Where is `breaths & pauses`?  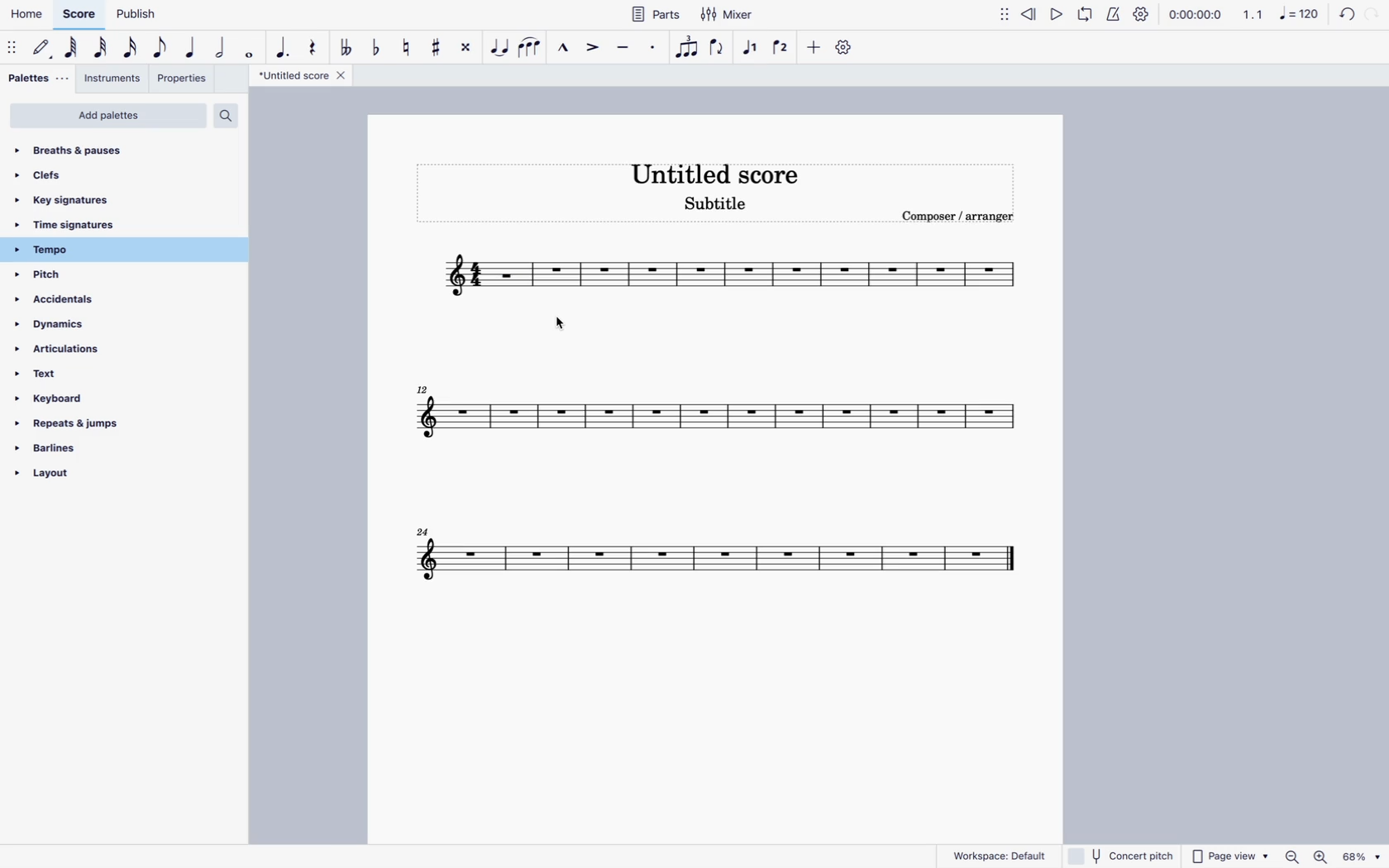
breaths & pauses is located at coordinates (125, 148).